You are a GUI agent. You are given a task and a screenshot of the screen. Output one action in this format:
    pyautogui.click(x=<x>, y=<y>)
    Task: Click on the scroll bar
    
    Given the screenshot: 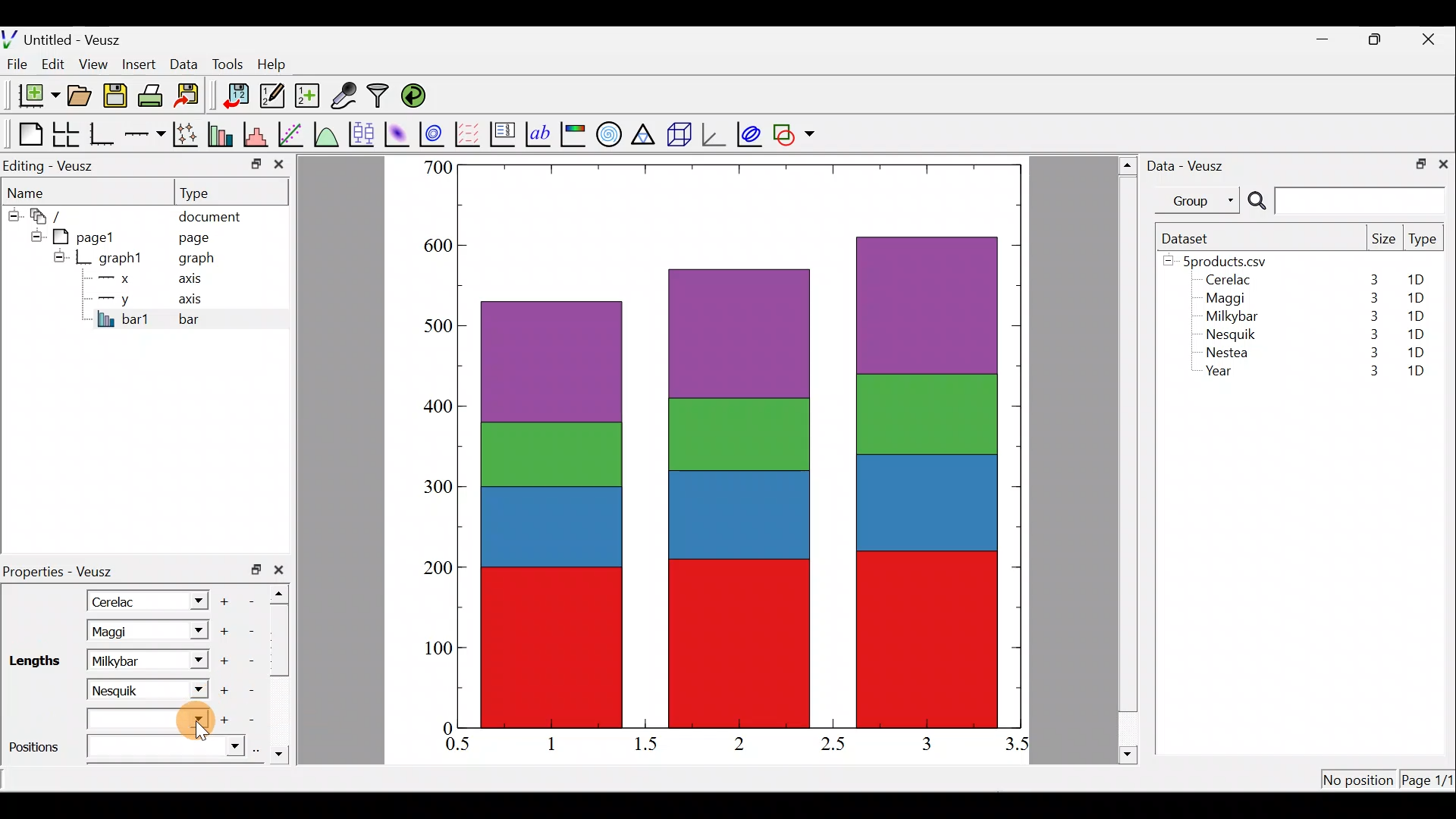 What is the action you would take?
    pyautogui.click(x=284, y=670)
    